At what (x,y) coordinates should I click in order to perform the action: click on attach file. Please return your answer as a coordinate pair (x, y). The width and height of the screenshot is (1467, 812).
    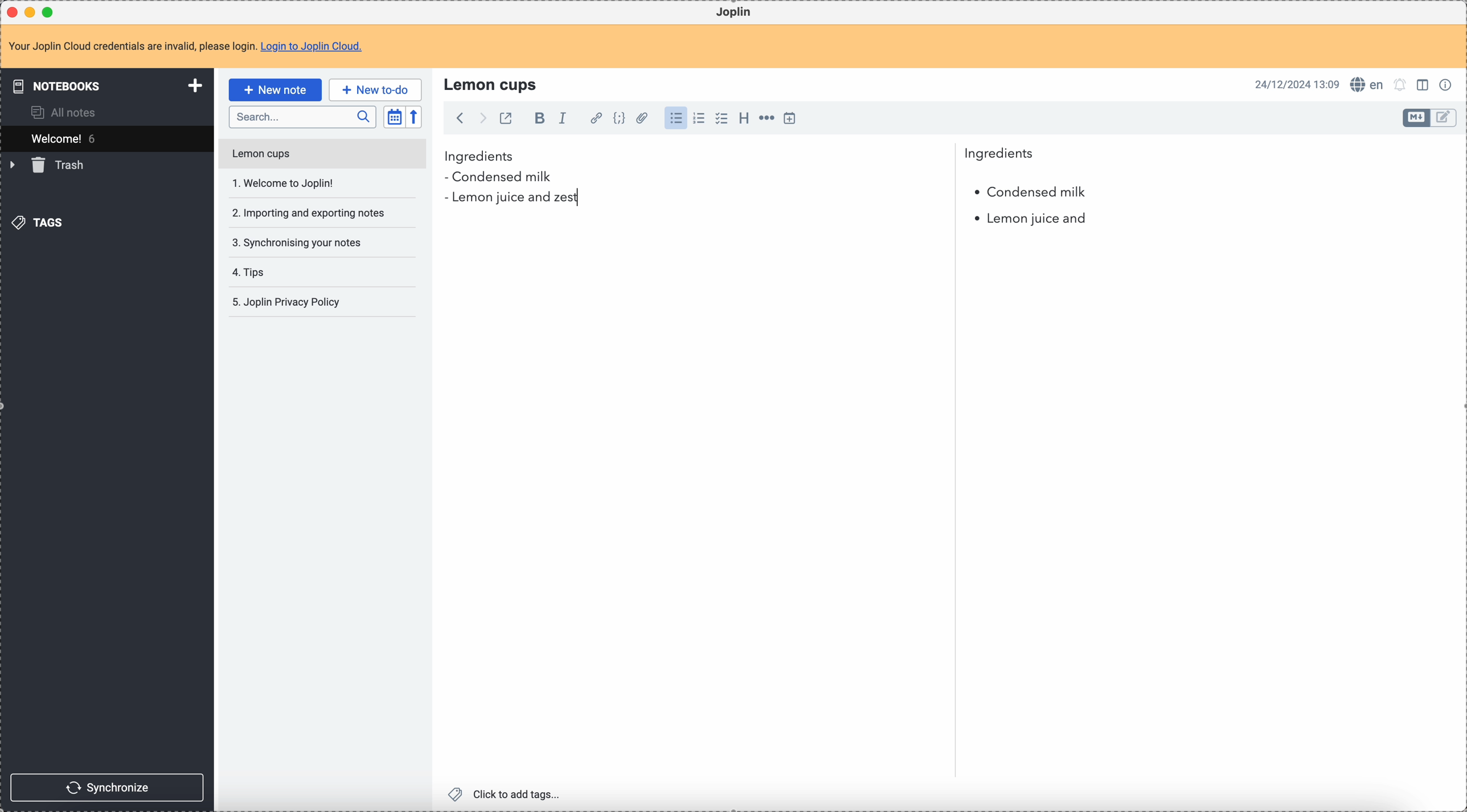
    Looking at the image, I should click on (640, 119).